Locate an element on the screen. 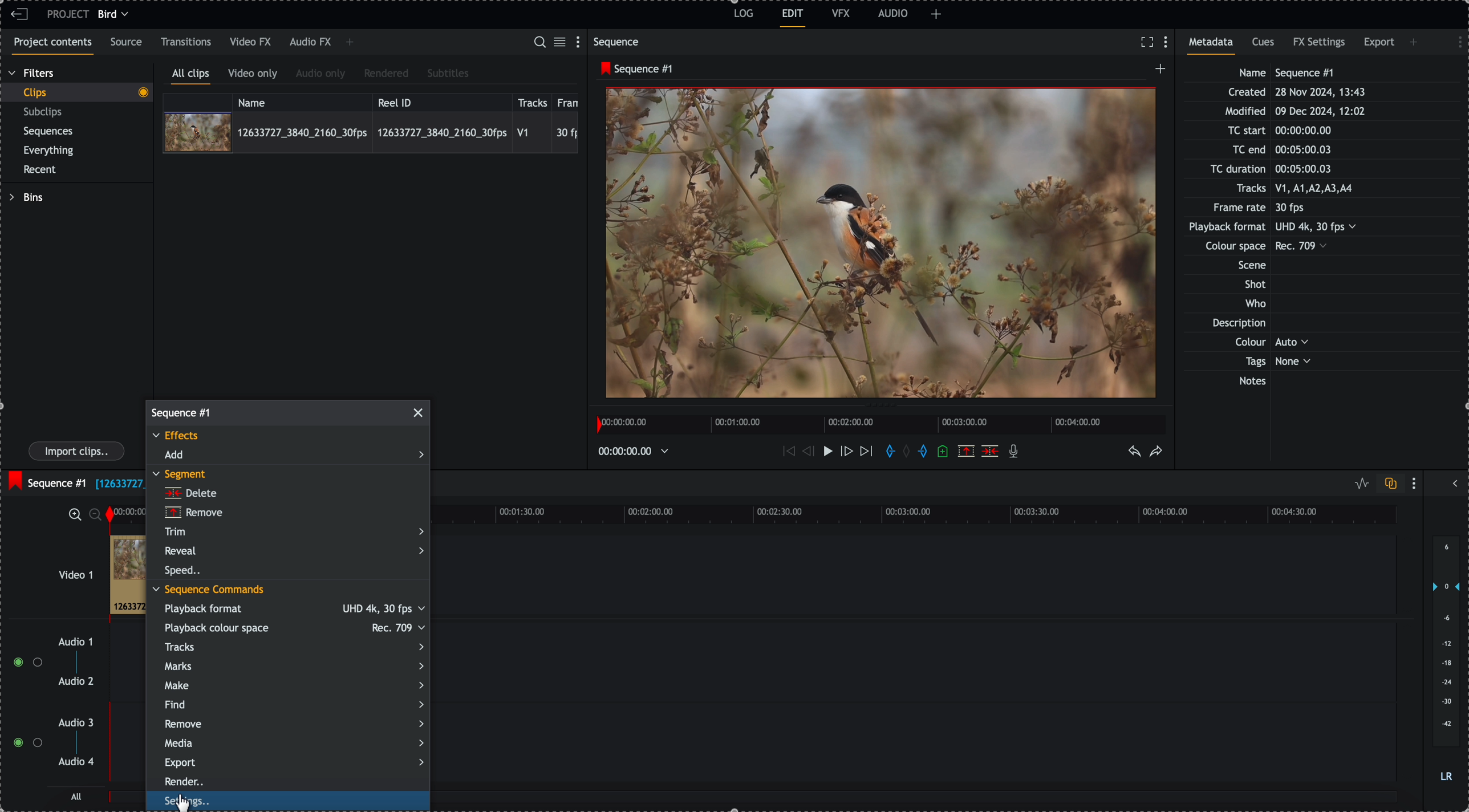 This screenshot has width=1469, height=812. leave is located at coordinates (19, 15).